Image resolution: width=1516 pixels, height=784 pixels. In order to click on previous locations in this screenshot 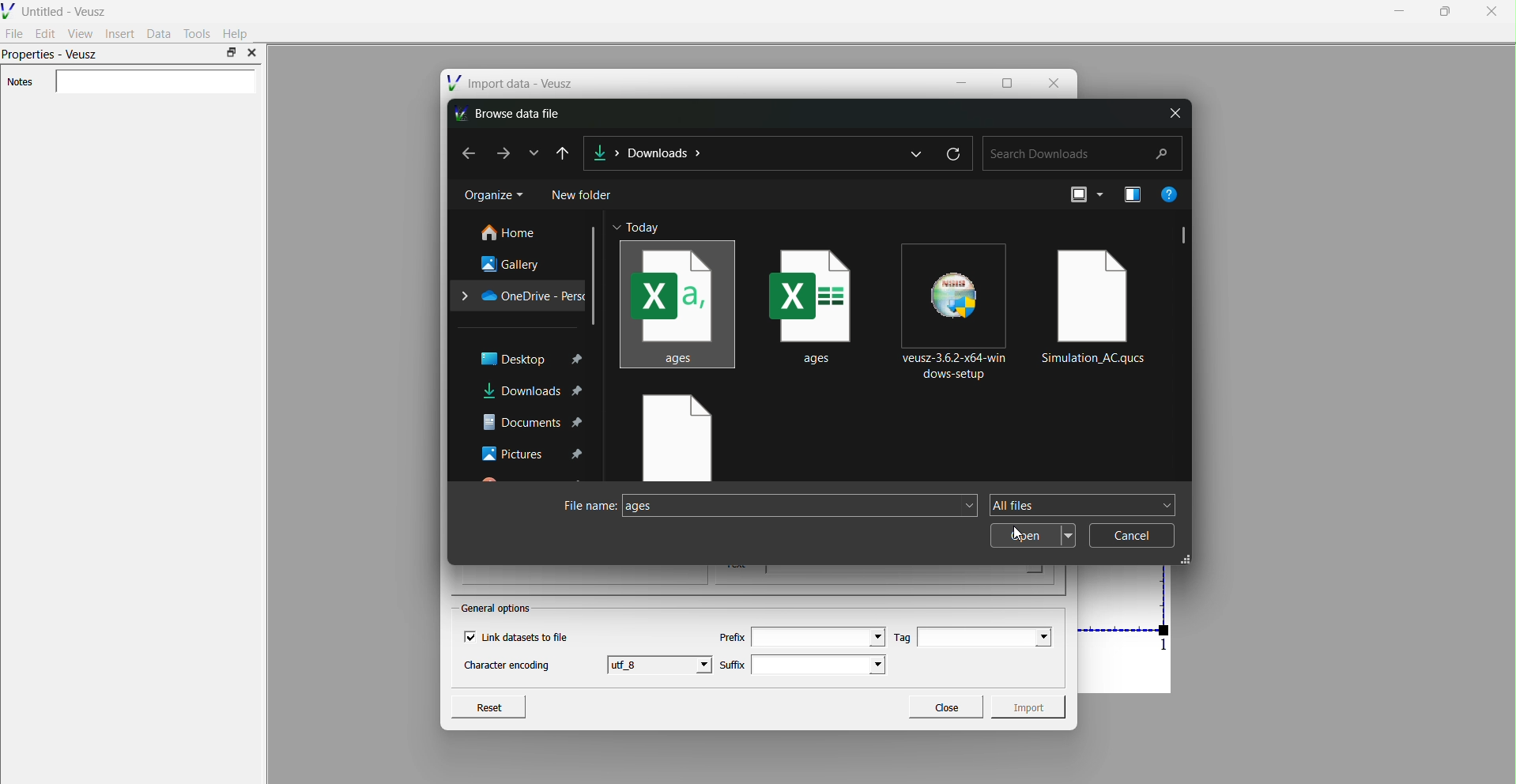, I will do `click(918, 153)`.